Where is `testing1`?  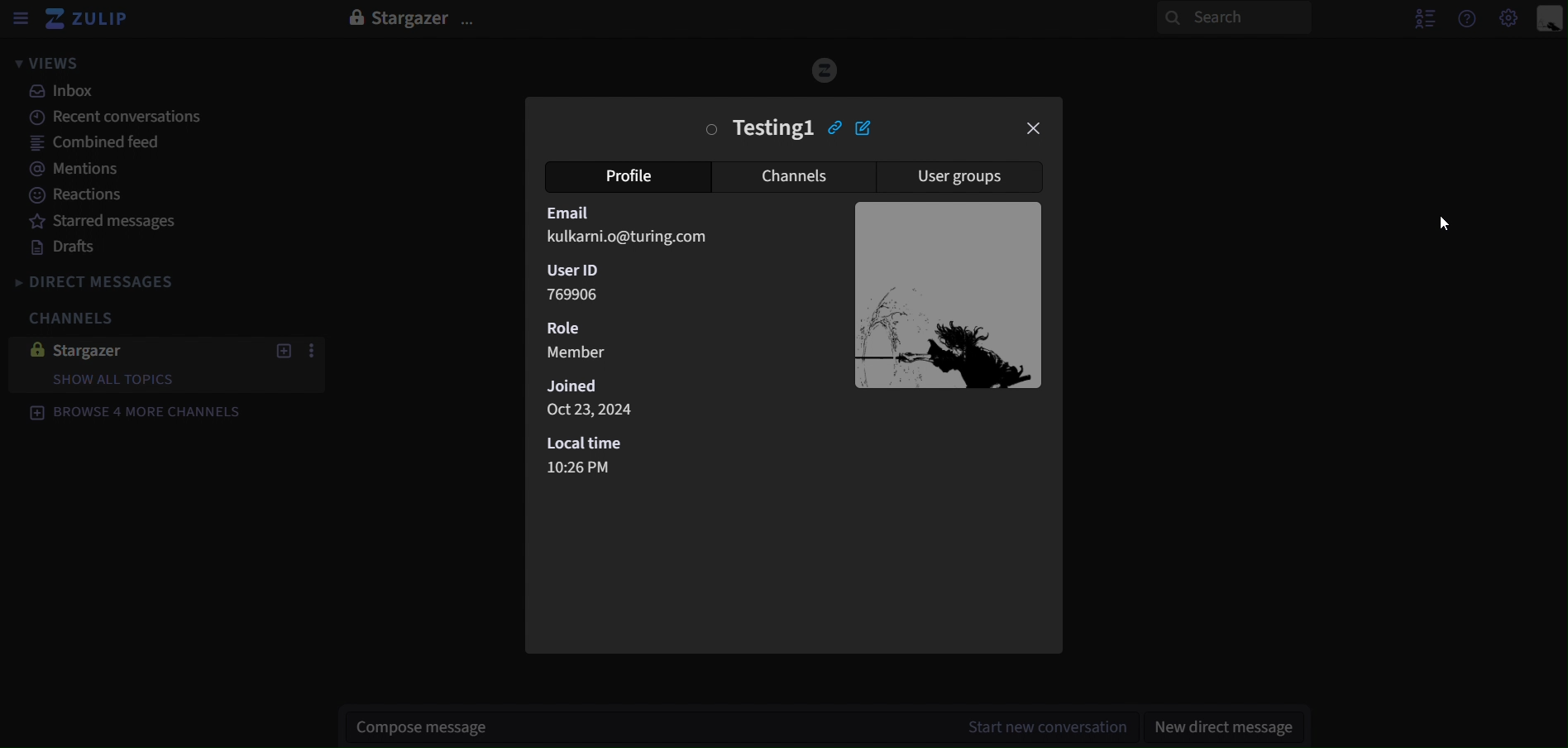 testing1 is located at coordinates (761, 127).